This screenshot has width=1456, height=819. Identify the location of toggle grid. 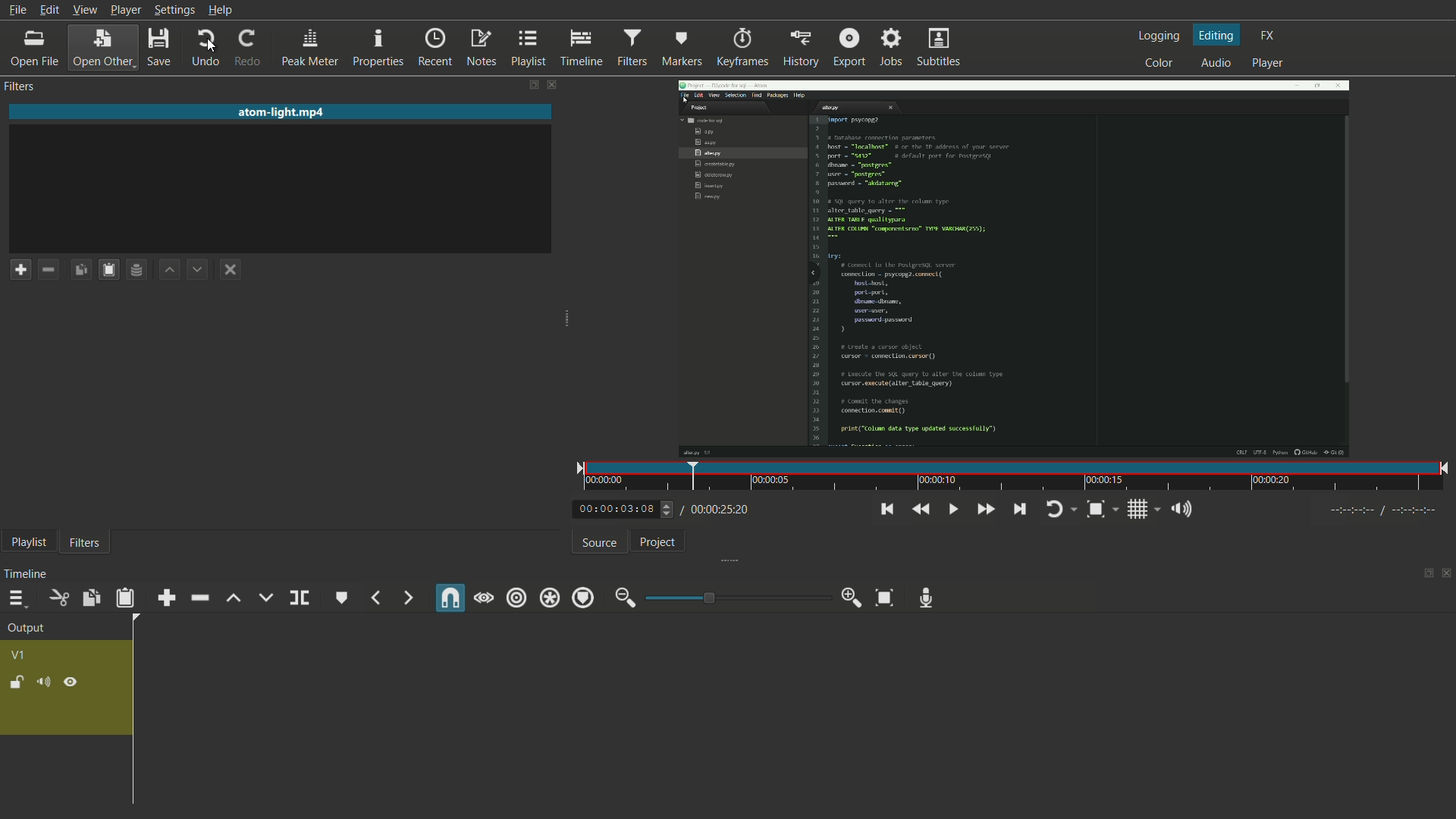
(1137, 510).